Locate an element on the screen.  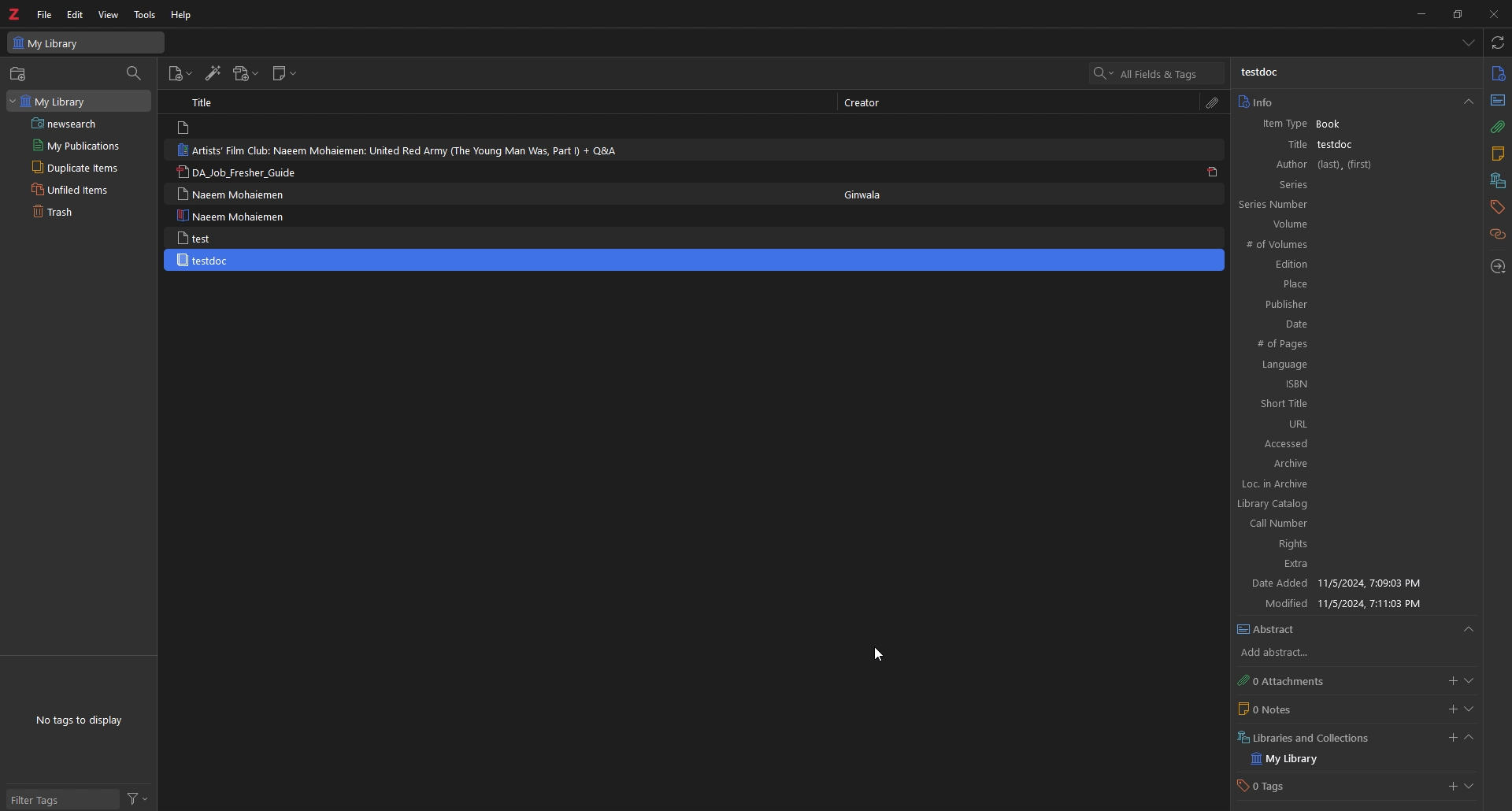
series number is located at coordinates (1291, 204).